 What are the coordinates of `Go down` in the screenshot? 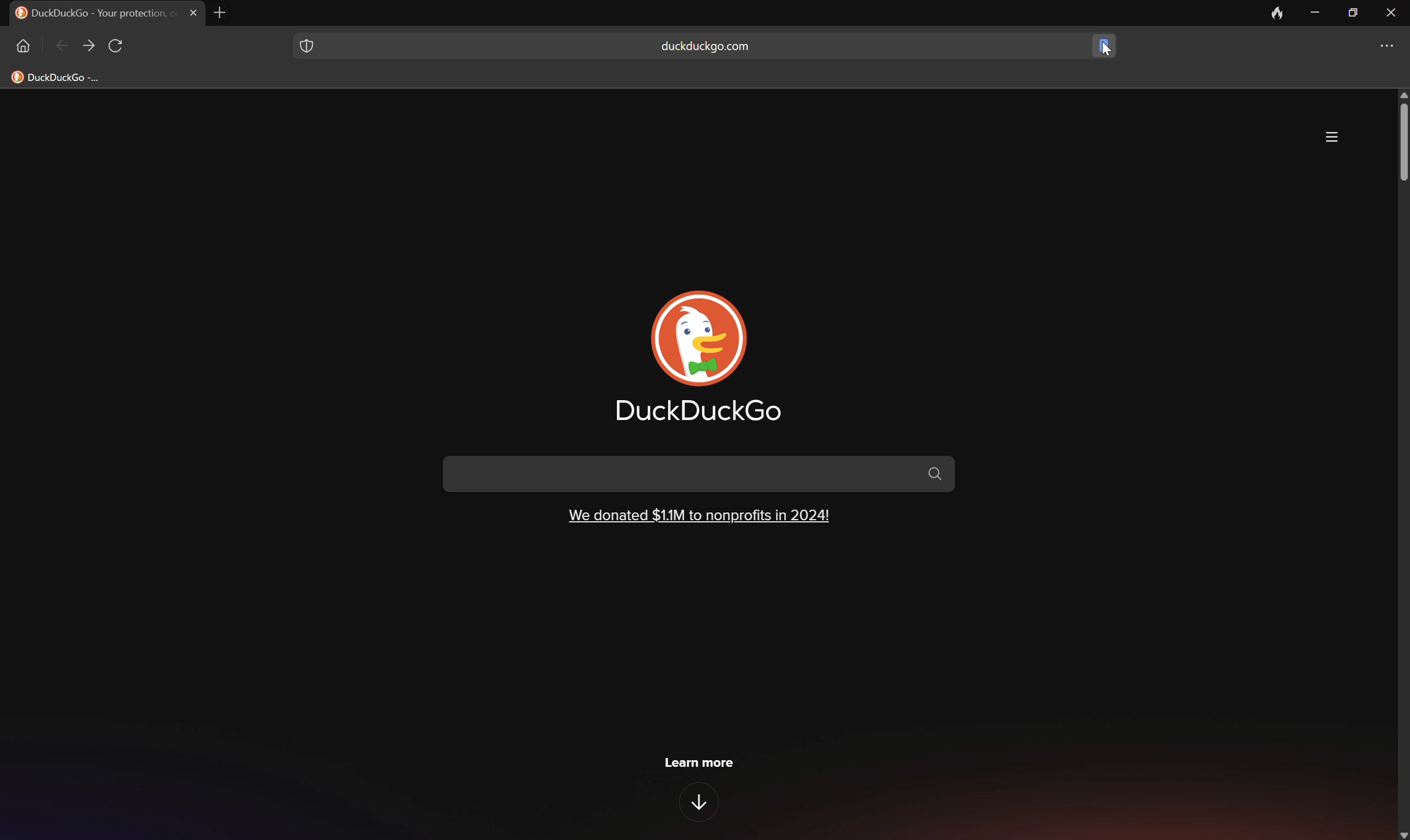 It's located at (702, 803).